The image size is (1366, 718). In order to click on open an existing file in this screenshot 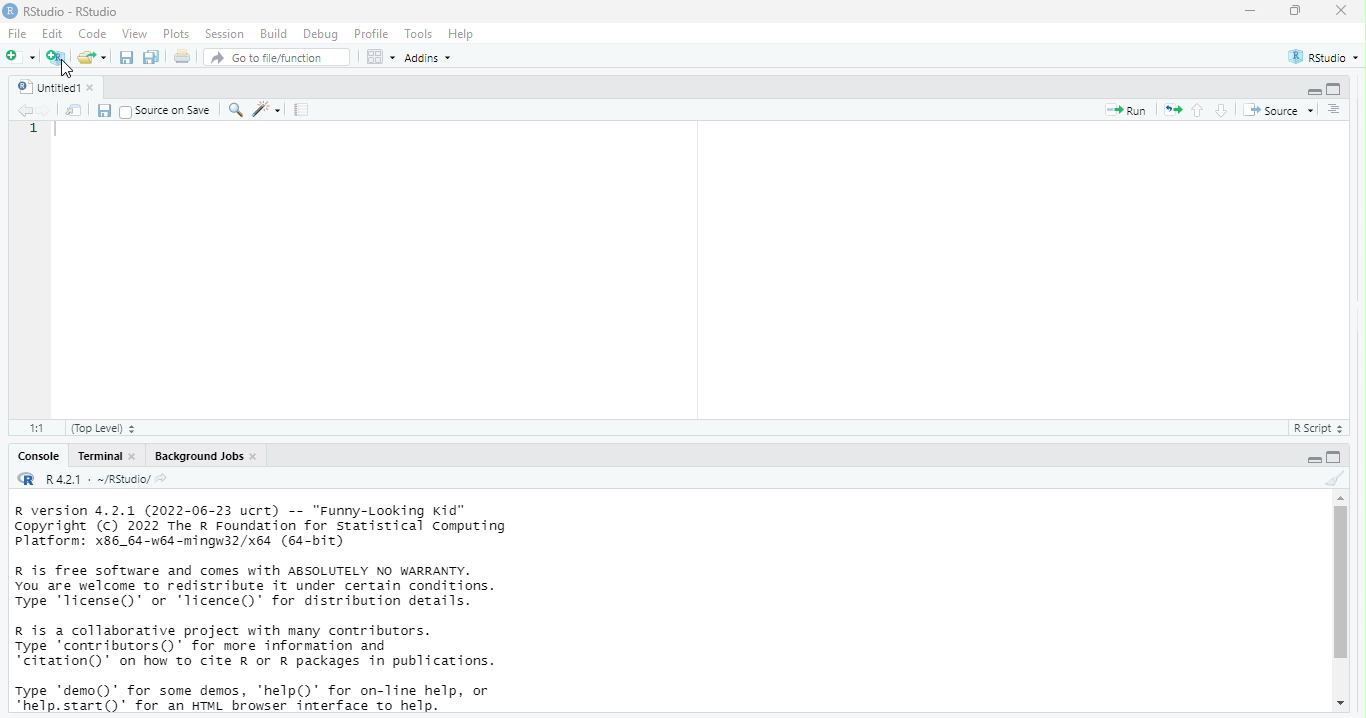, I will do `click(93, 56)`.